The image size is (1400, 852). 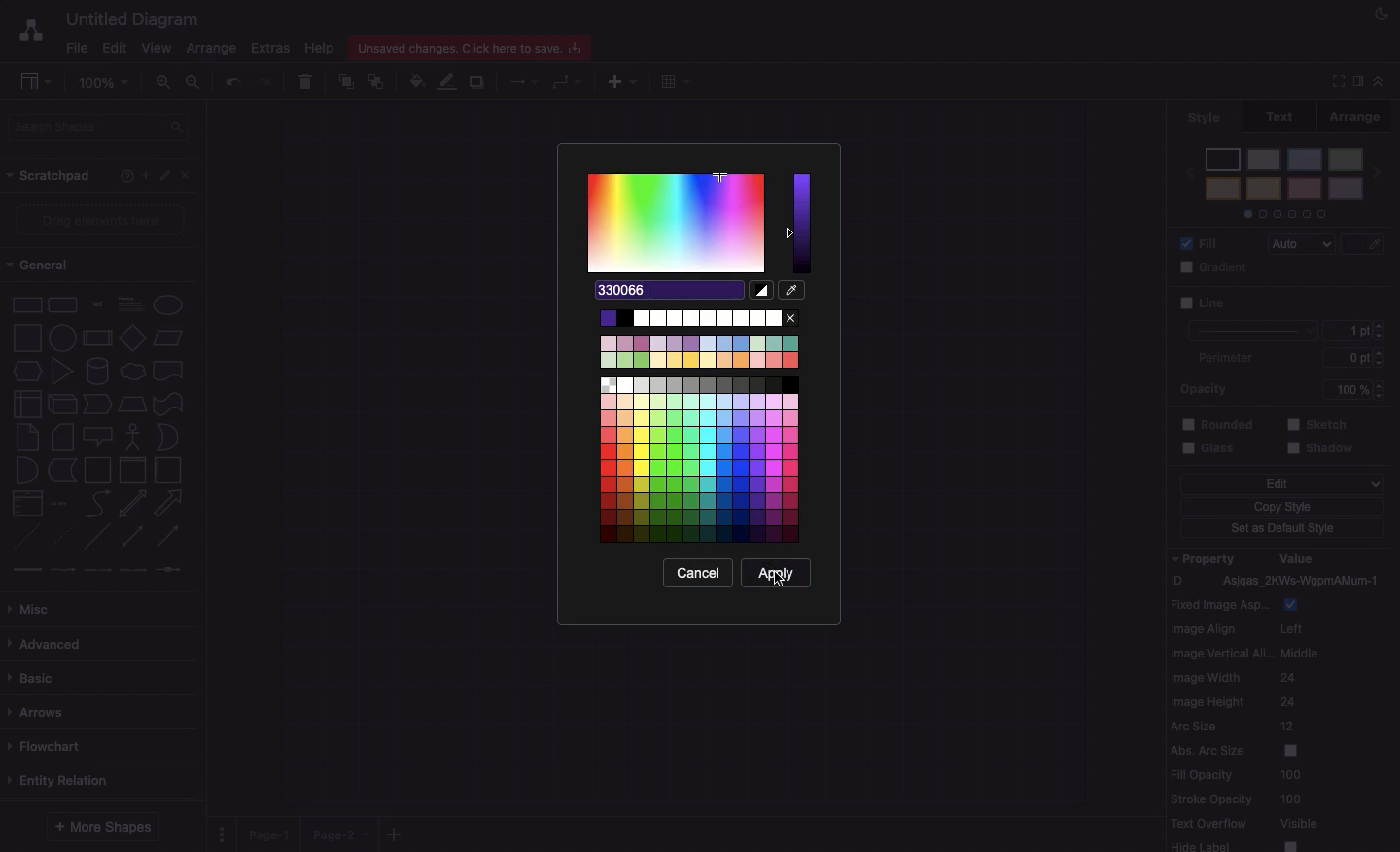 What do you see at coordinates (172, 503) in the screenshot?
I see `arrow` at bounding box center [172, 503].